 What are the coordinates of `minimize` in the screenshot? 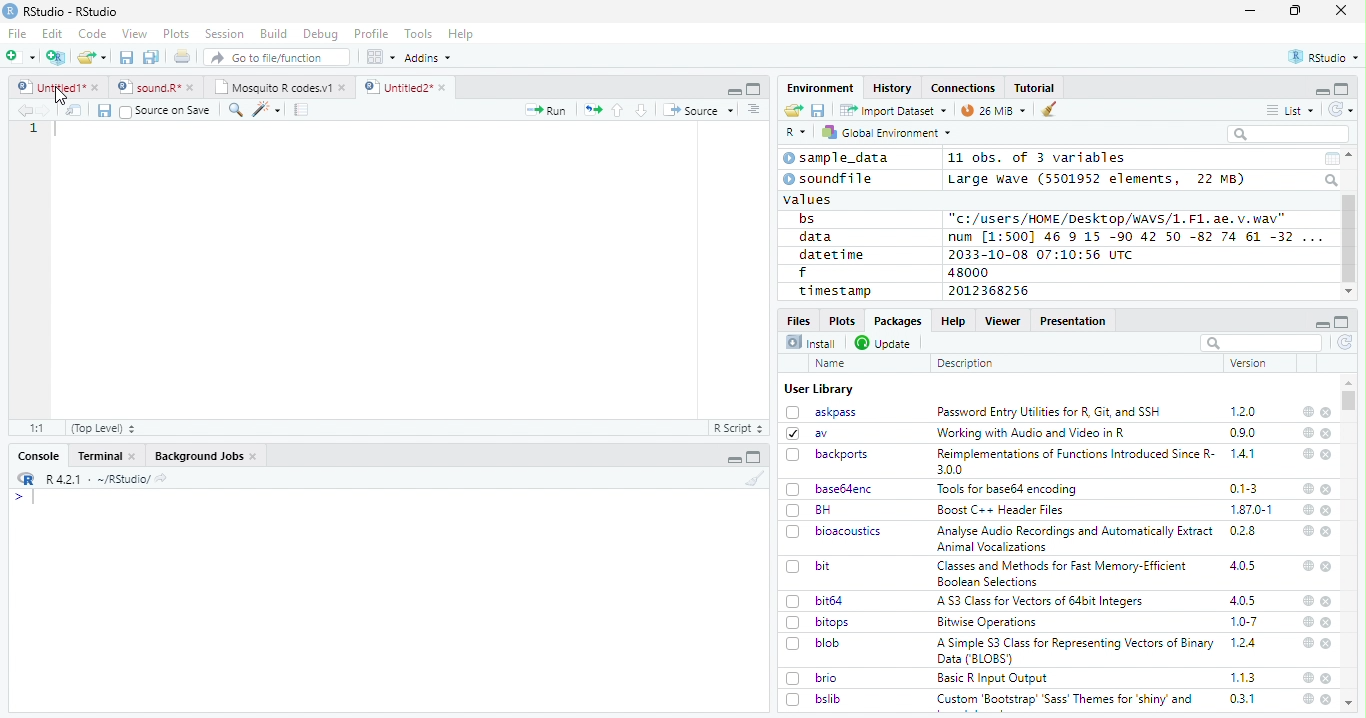 It's located at (1321, 322).